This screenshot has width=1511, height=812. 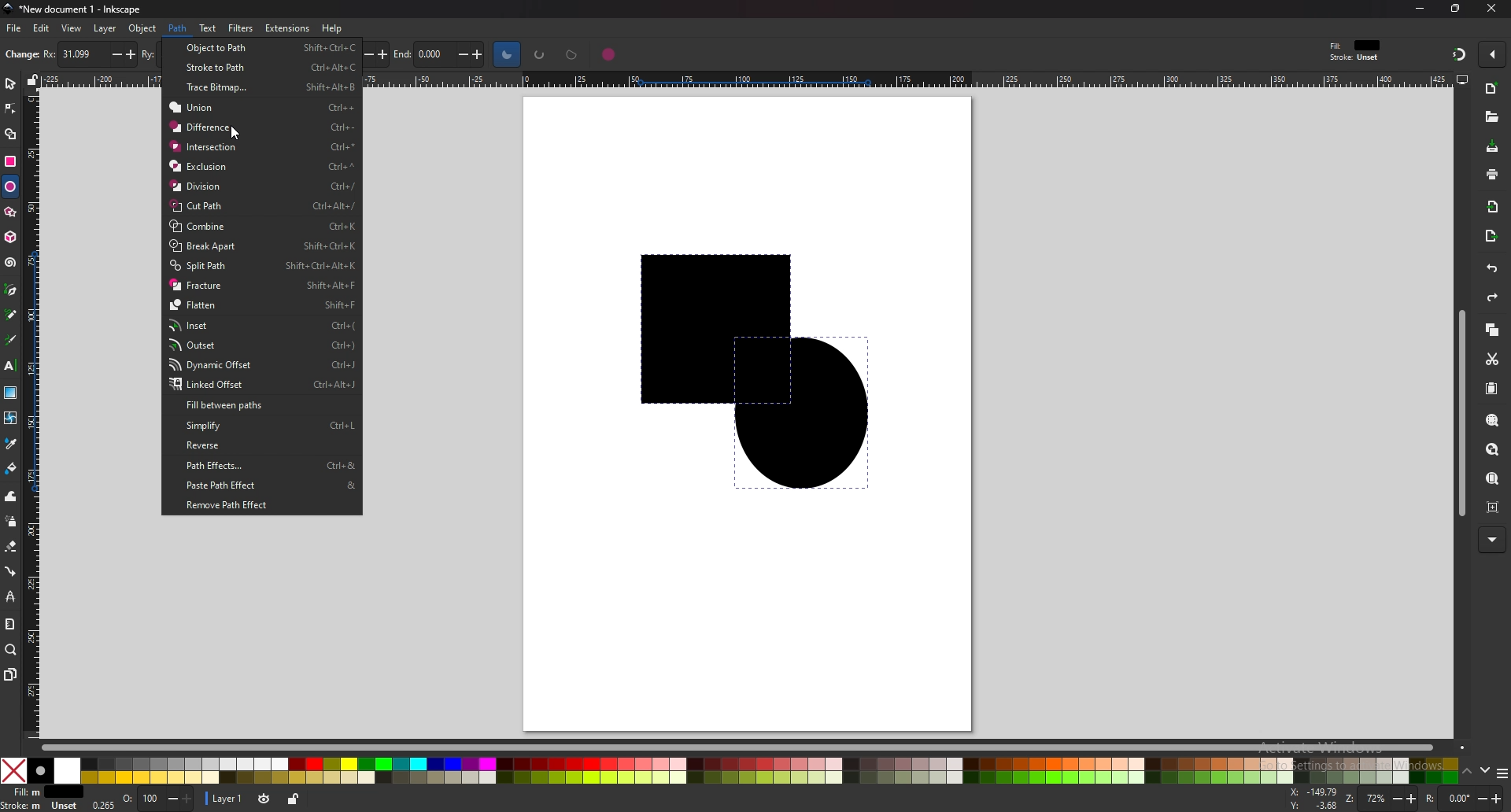 What do you see at coordinates (87, 54) in the screenshot?
I see `horizontal radius` at bounding box center [87, 54].